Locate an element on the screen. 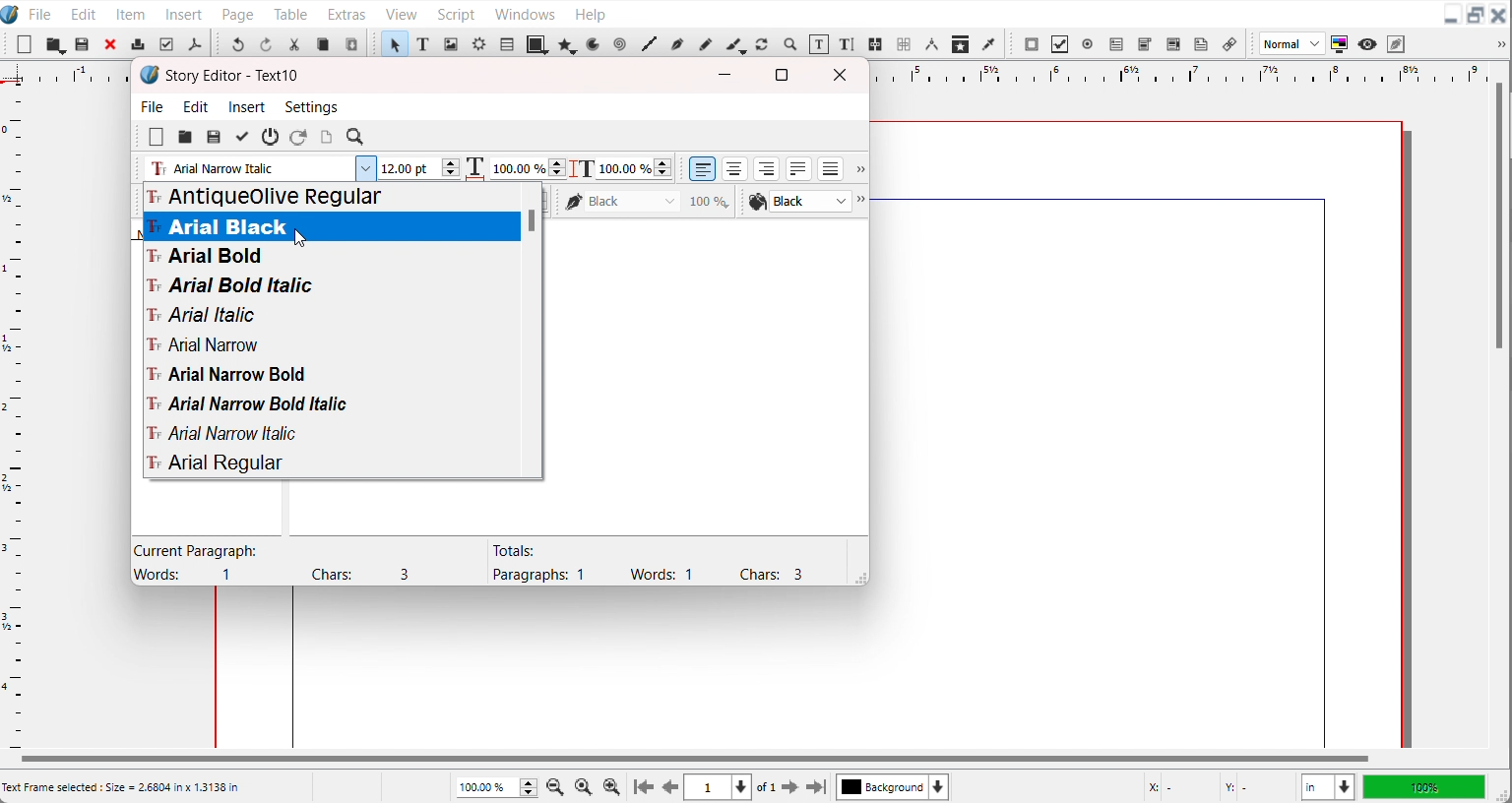 This screenshot has height=803, width=1512. Font is located at coordinates (331, 198).